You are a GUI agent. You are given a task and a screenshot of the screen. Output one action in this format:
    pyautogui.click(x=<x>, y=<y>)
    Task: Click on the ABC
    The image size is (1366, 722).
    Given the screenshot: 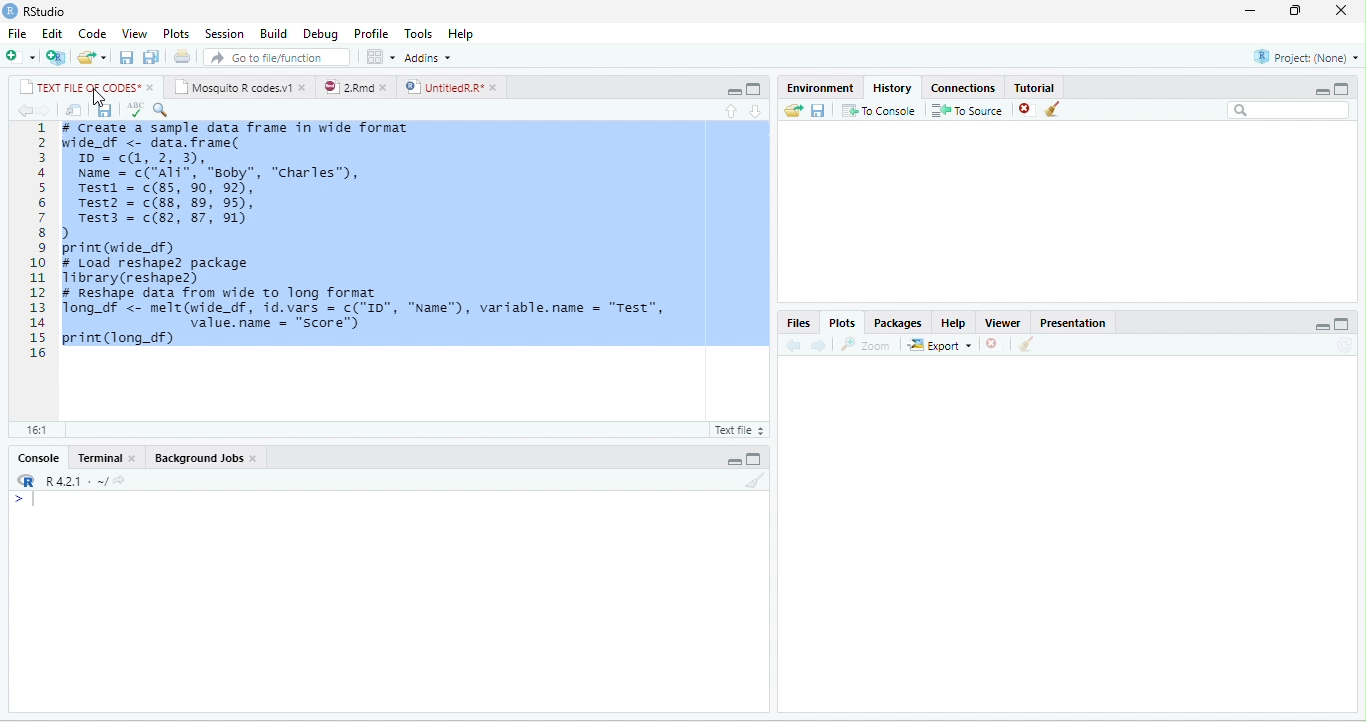 What is the action you would take?
    pyautogui.click(x=135, y=110)
    